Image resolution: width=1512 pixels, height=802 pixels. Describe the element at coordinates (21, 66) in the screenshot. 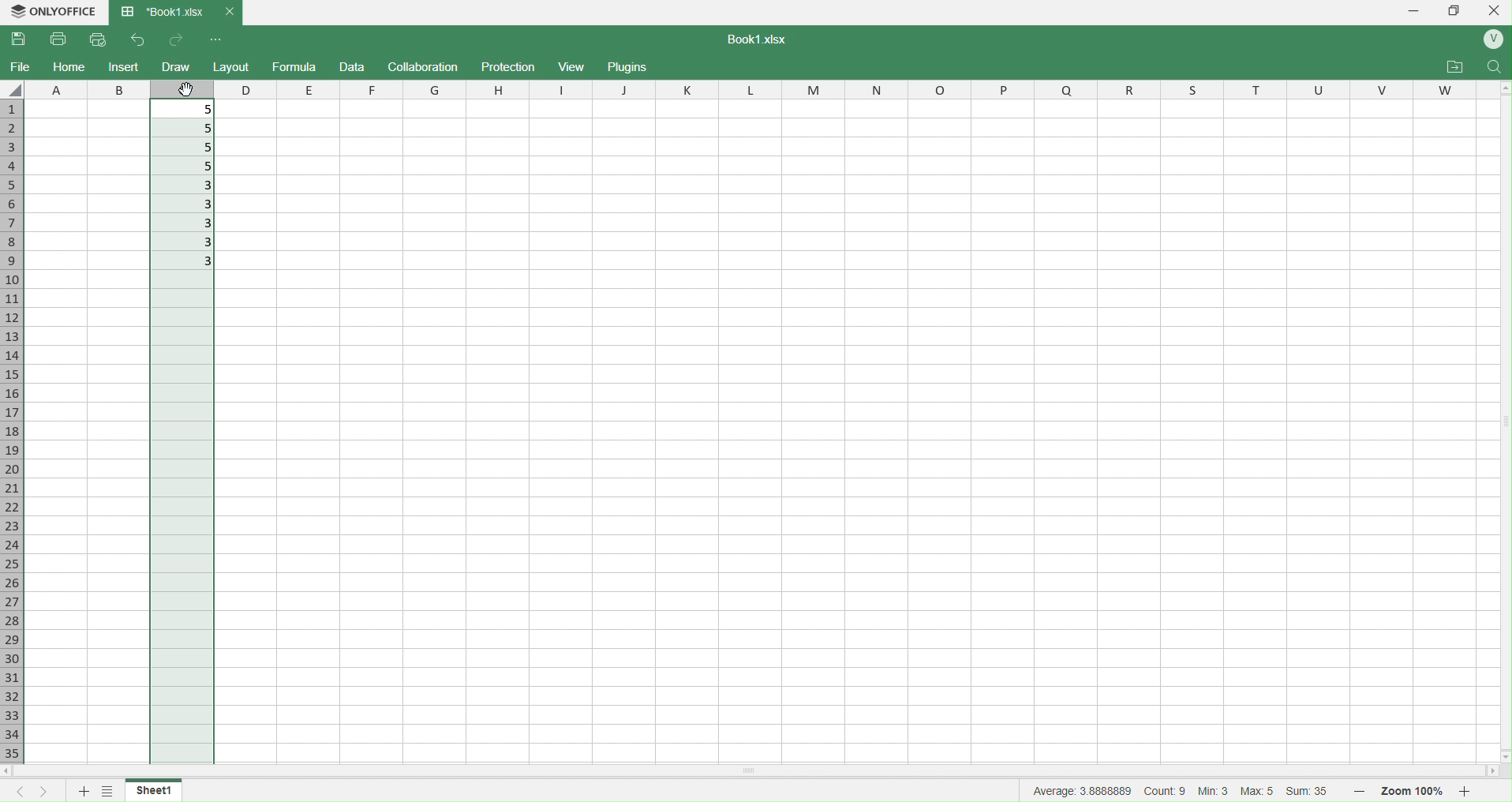

I see `File` at that location.